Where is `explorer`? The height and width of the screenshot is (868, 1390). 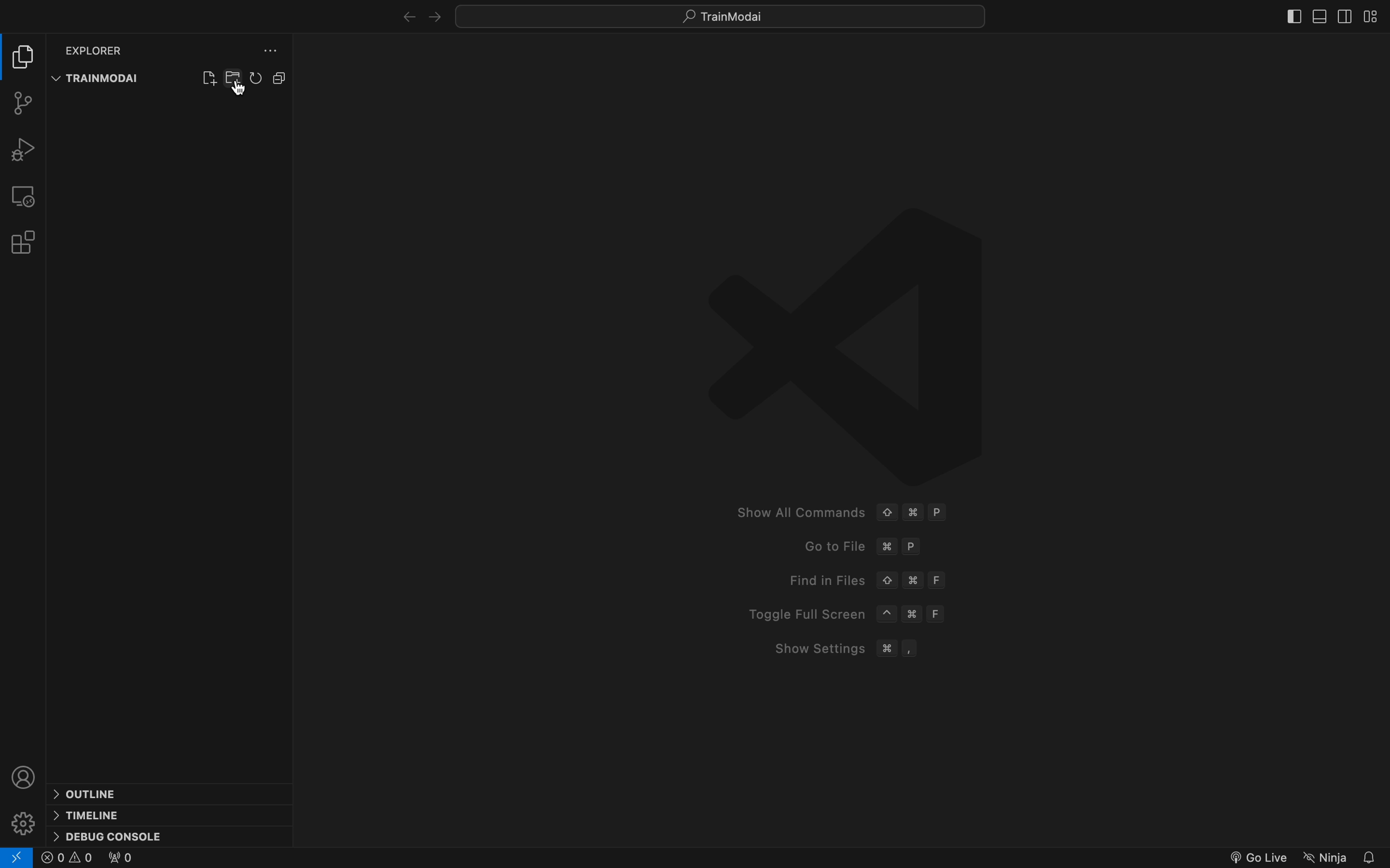 explorer is located at coordinates (96, 49).